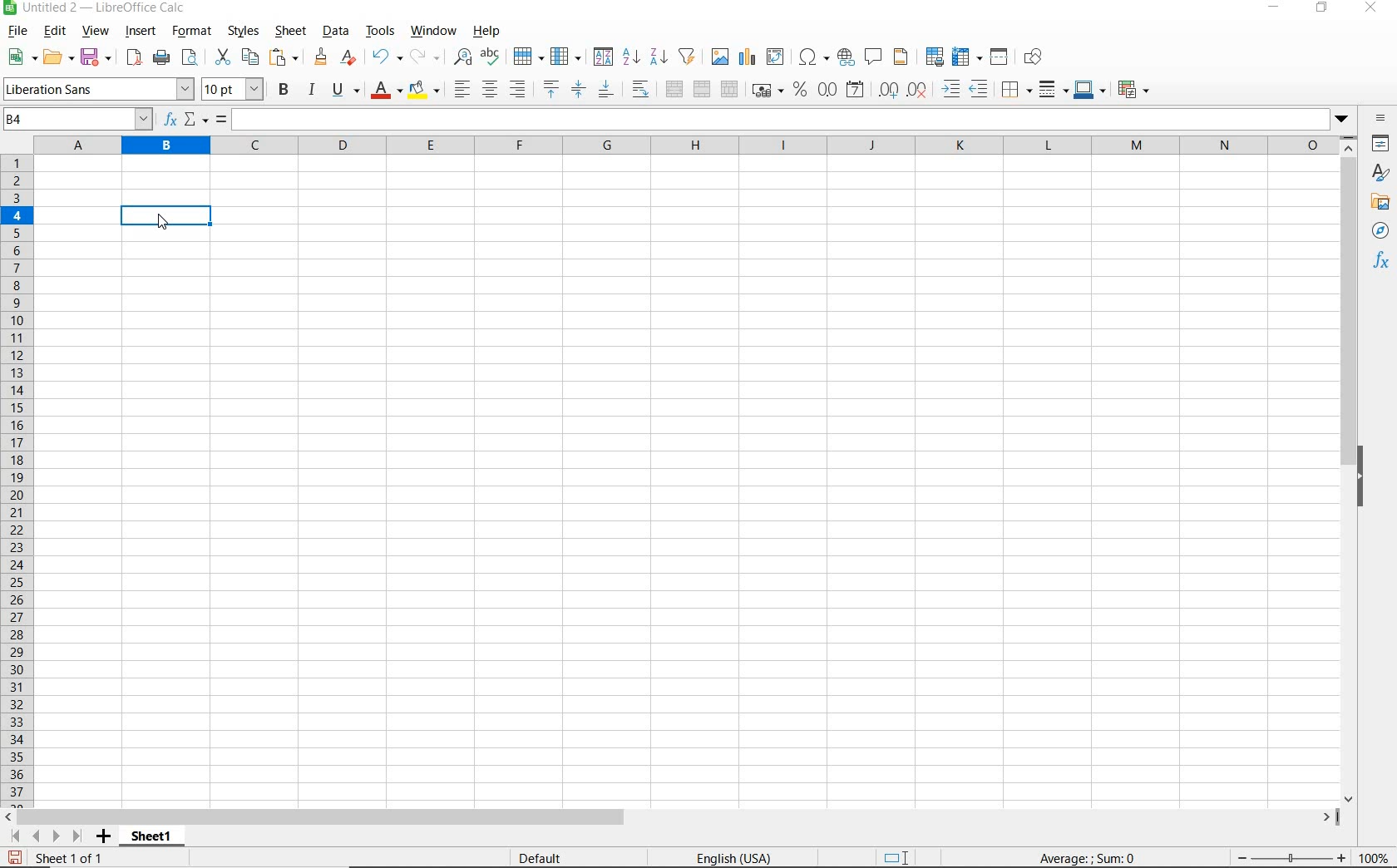  Describe the element at coordinates (57, 57) in the screenshot. I see `open` at that location.